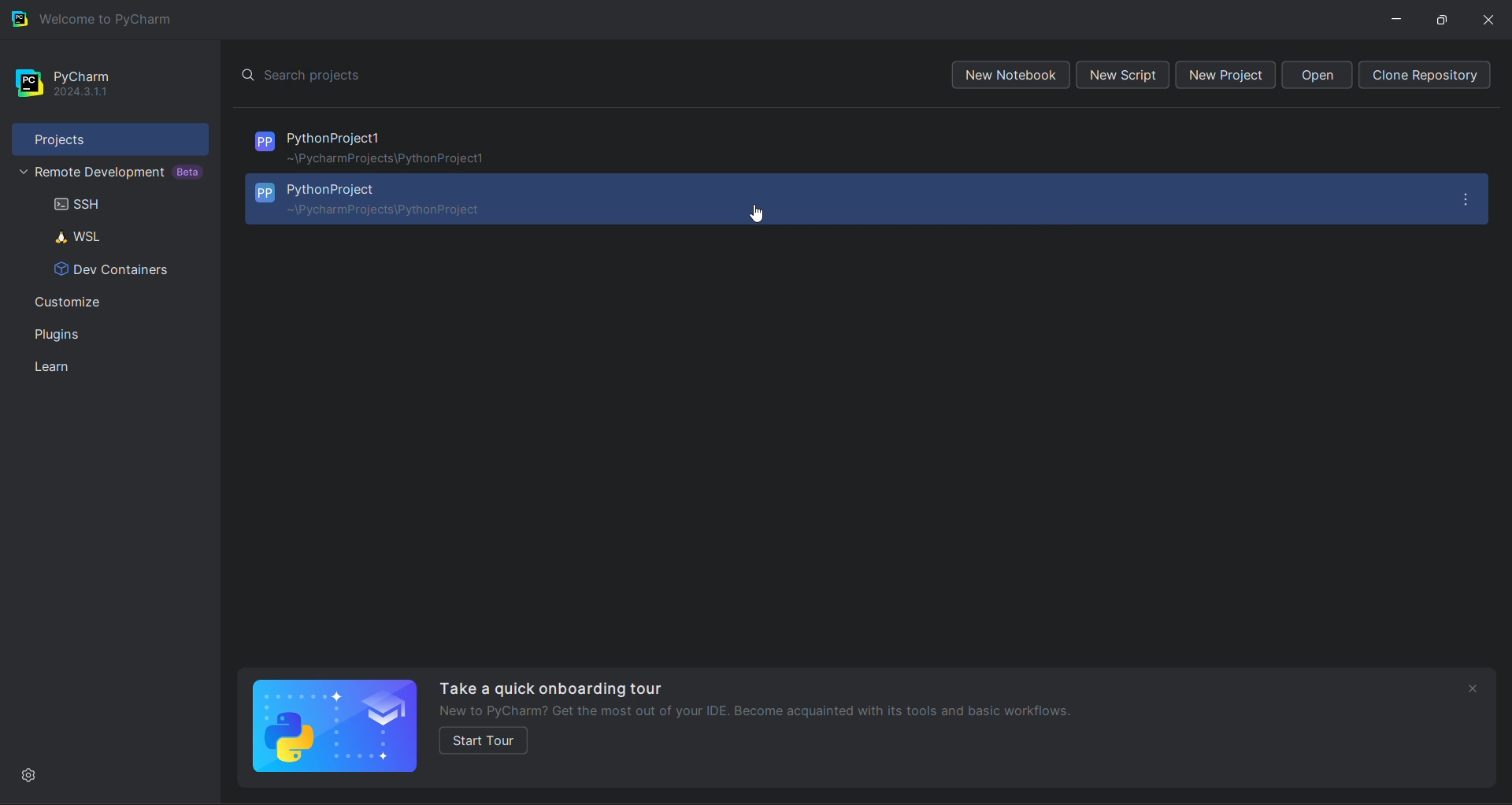  What do you see at coordinates (572, 73) in the screenshot?
I see `search bar` at bounding box center [572, 73].